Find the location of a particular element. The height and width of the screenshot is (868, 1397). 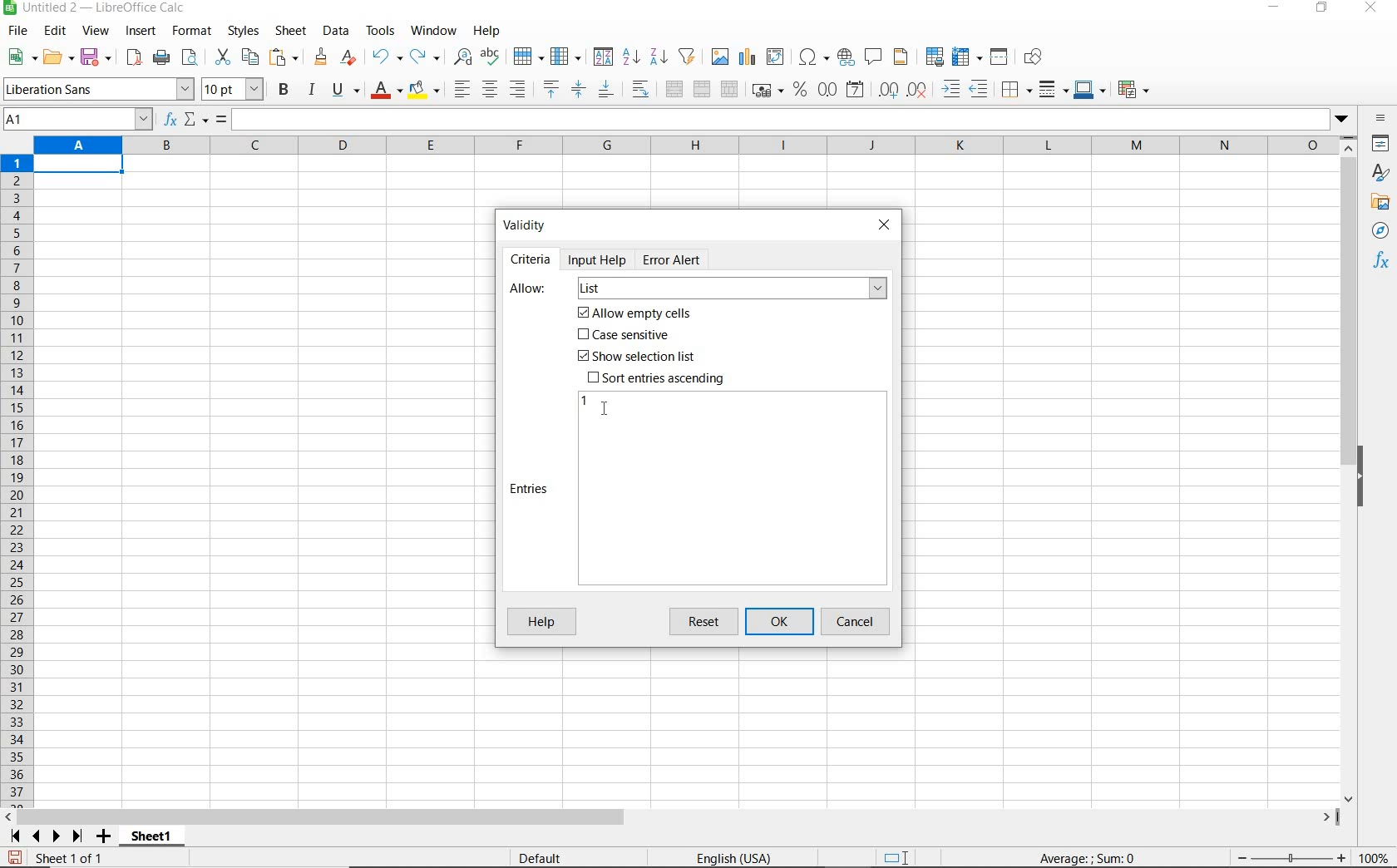

insert is located at coordinates (140, 32).